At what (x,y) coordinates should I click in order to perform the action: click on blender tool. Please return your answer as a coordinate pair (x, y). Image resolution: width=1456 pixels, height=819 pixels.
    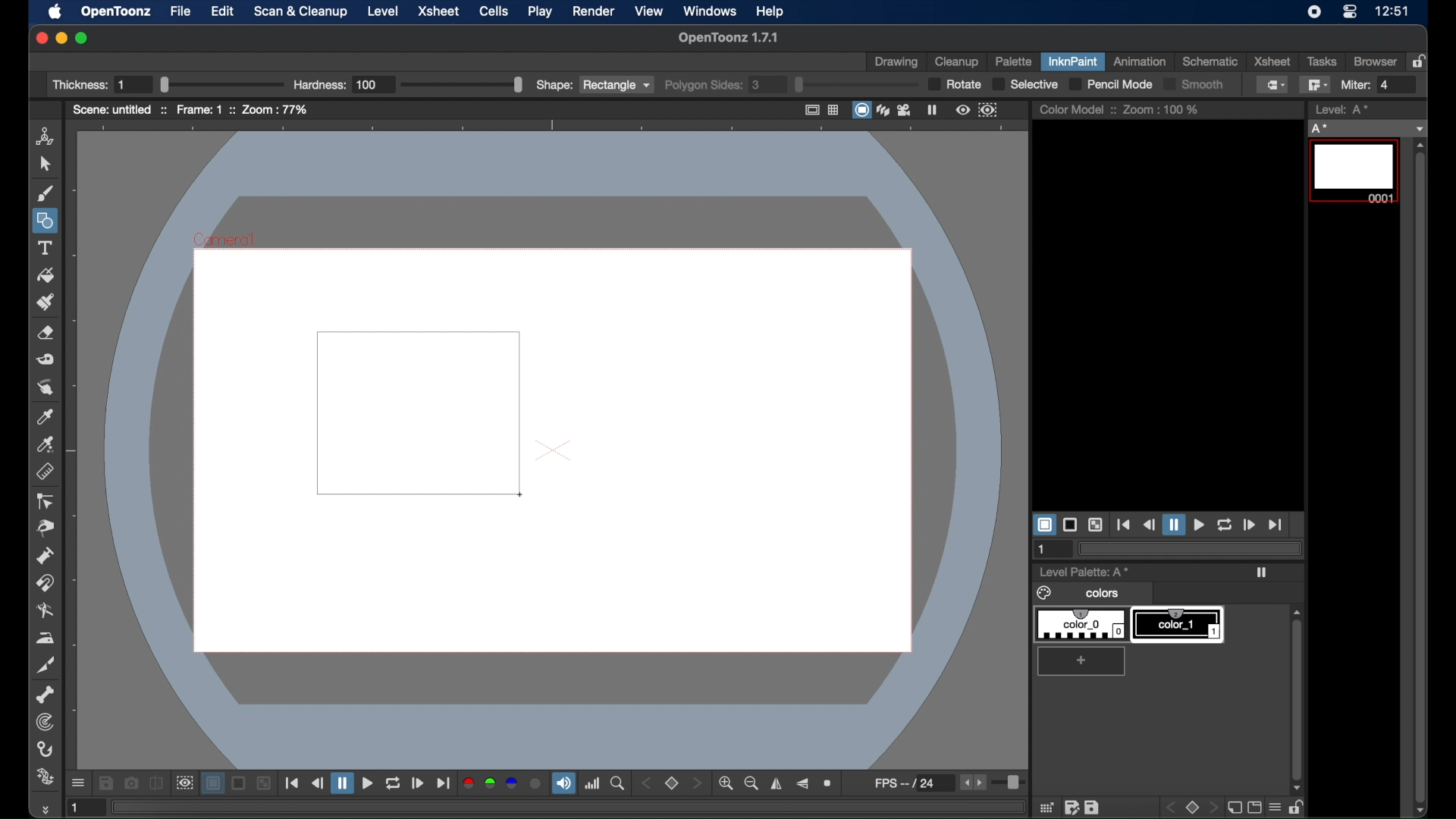
    Looking at the image, I should click on (45, 612).